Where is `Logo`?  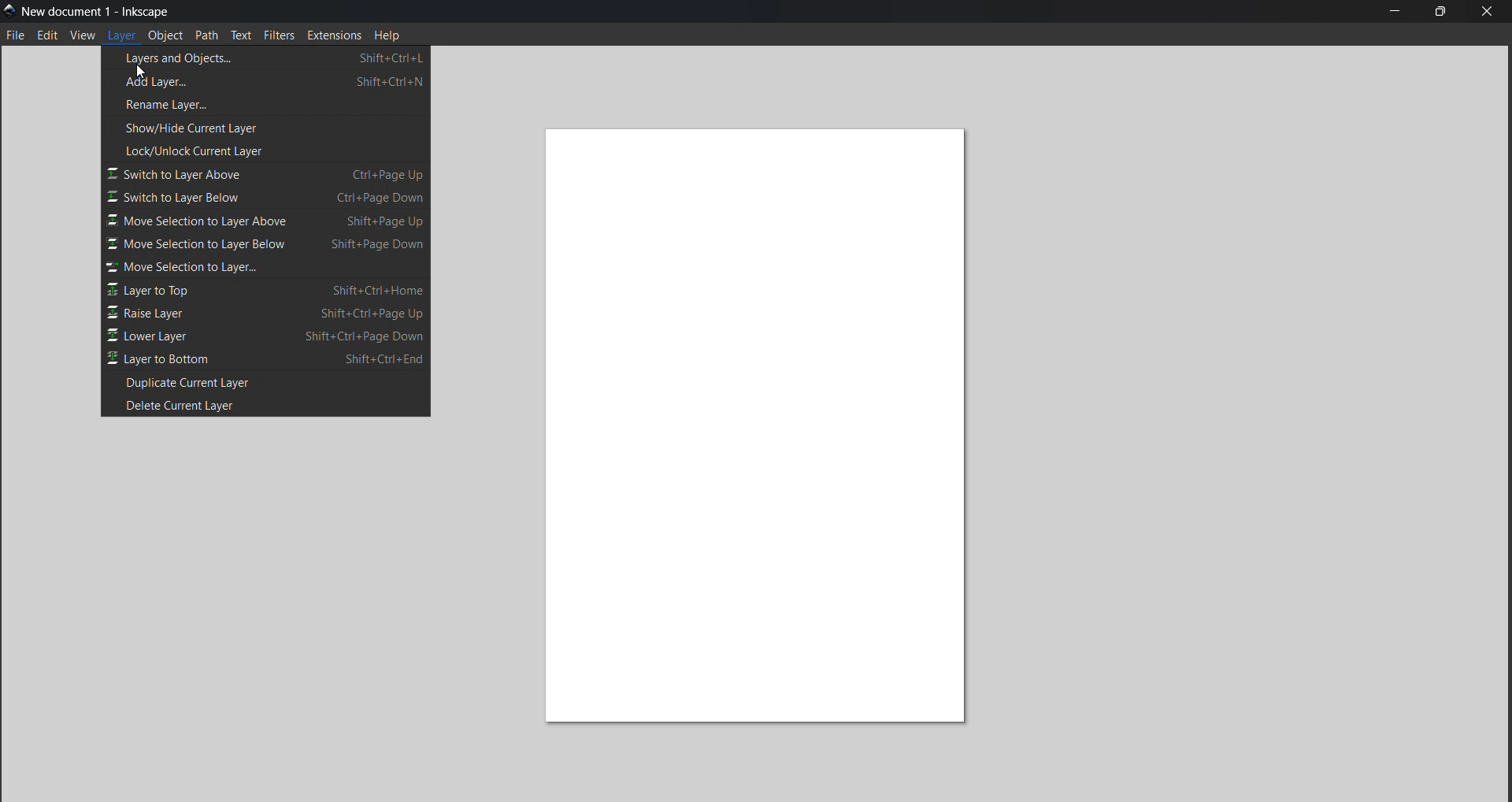 Logo is located at coordinates (9, 10).